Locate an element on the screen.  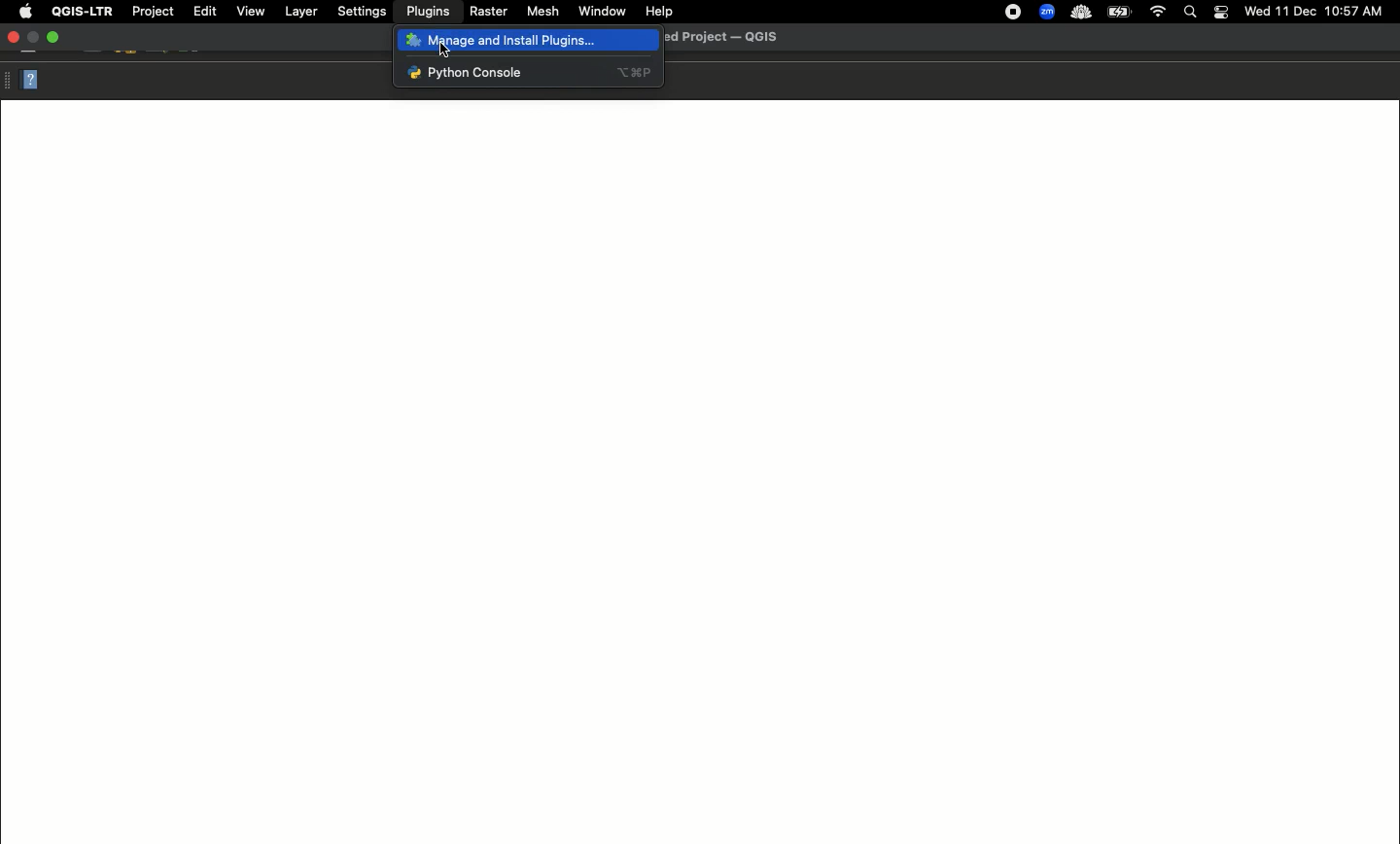
Notification is located at coordinates (1220, 11).